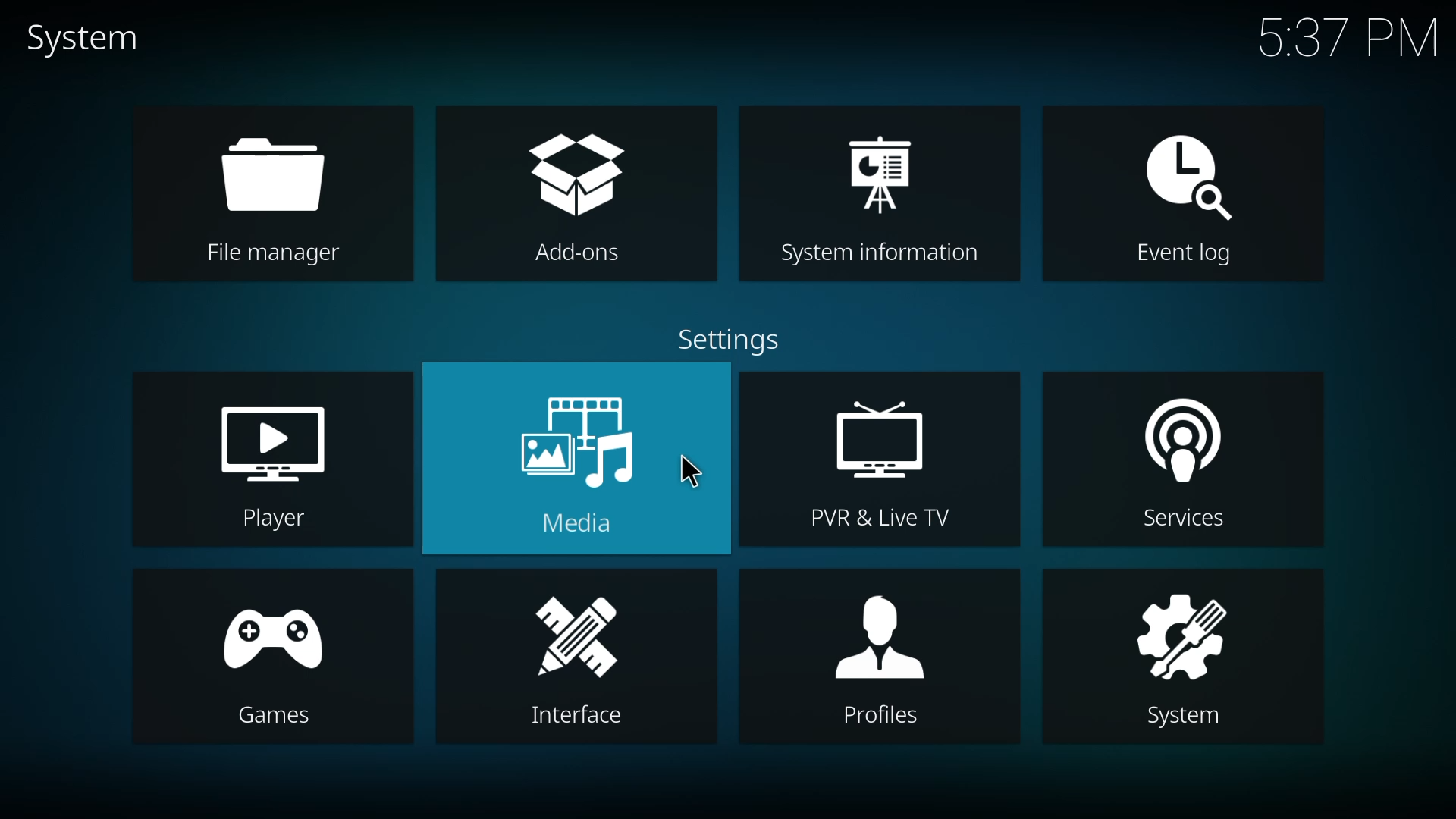  I want to click on Interface, so click(576, 717).